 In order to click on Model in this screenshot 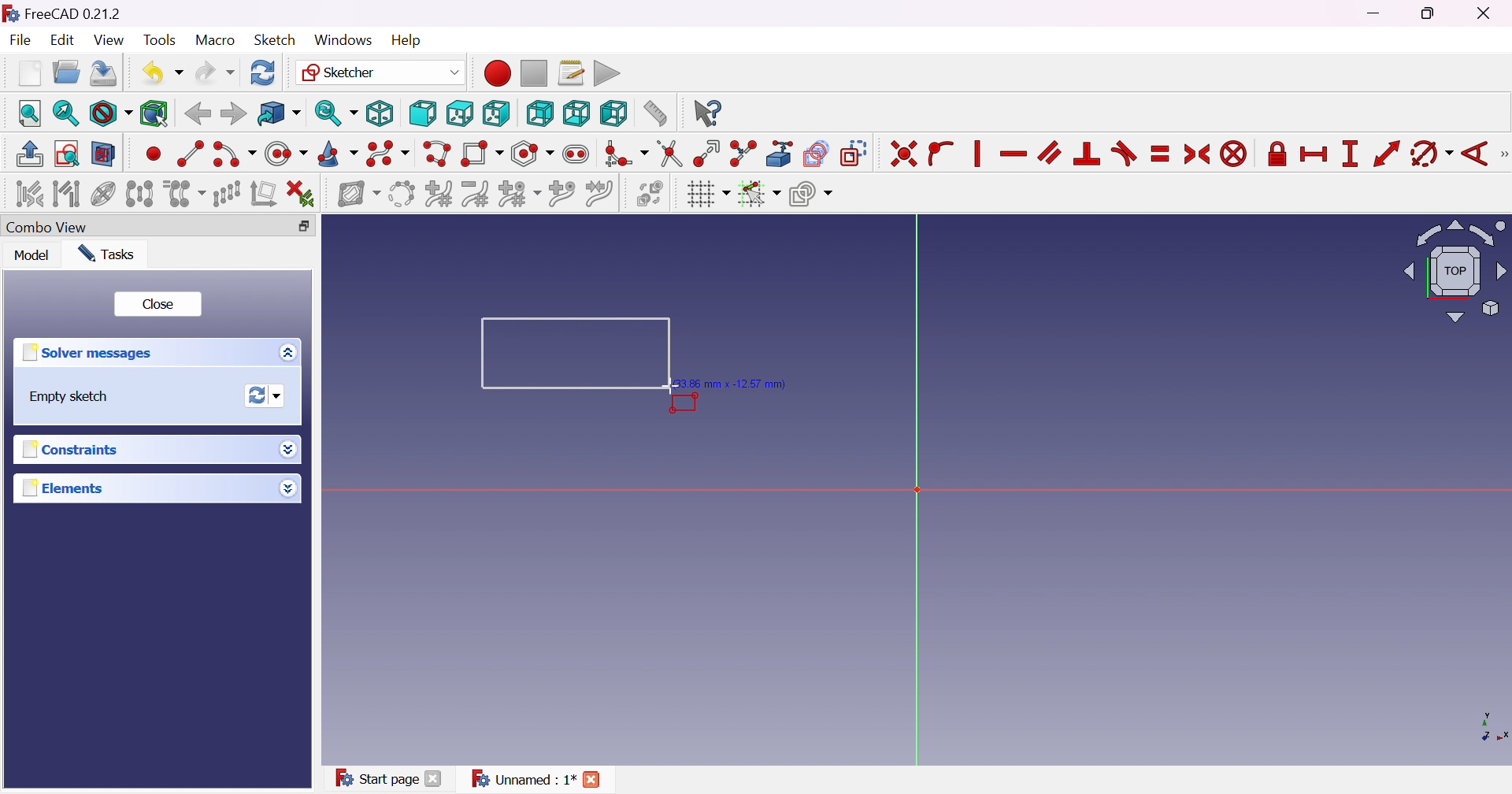, I will do `click(33, 255)`.